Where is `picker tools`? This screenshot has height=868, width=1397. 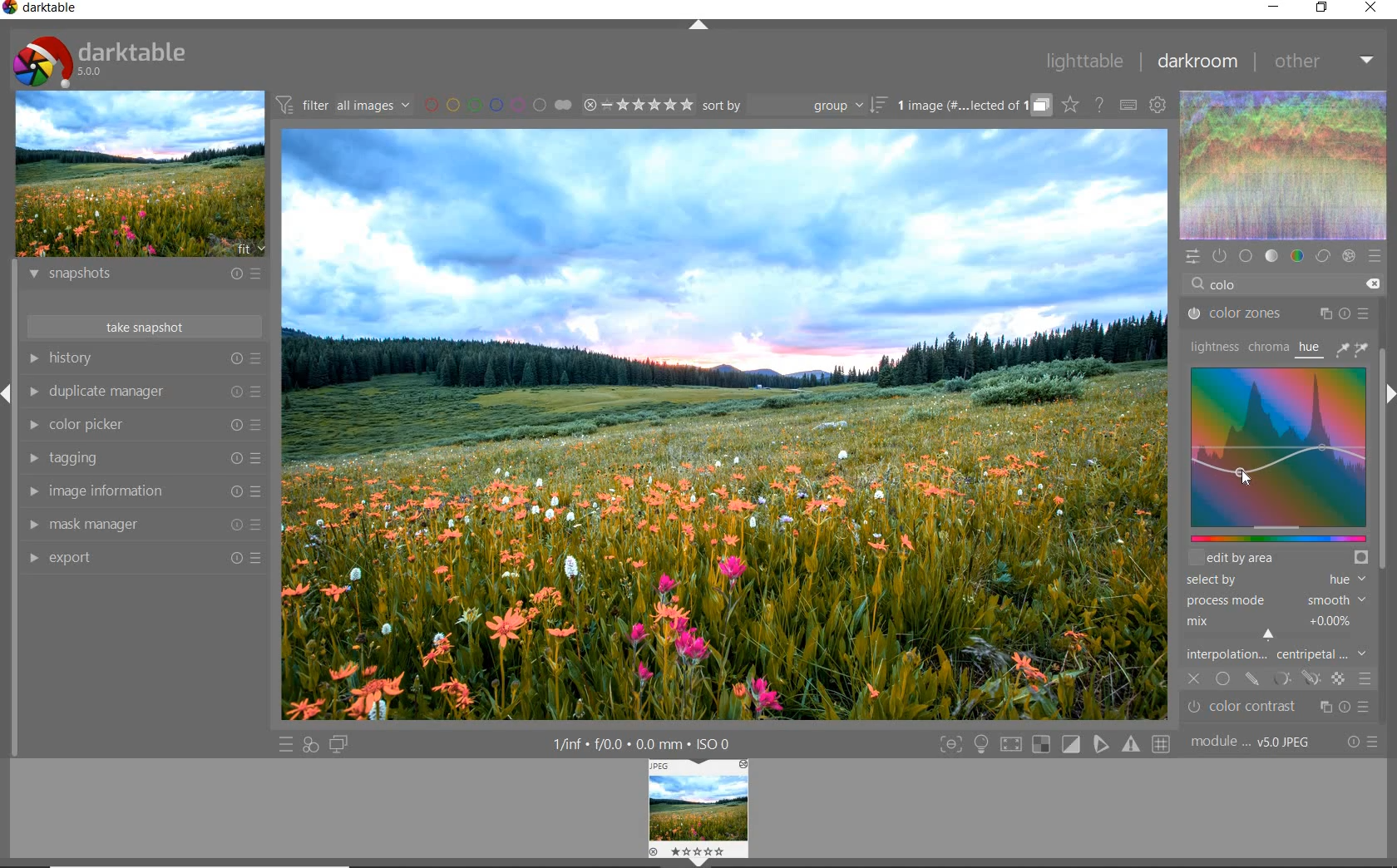
picker tools is located at coordinates (1355, 348).